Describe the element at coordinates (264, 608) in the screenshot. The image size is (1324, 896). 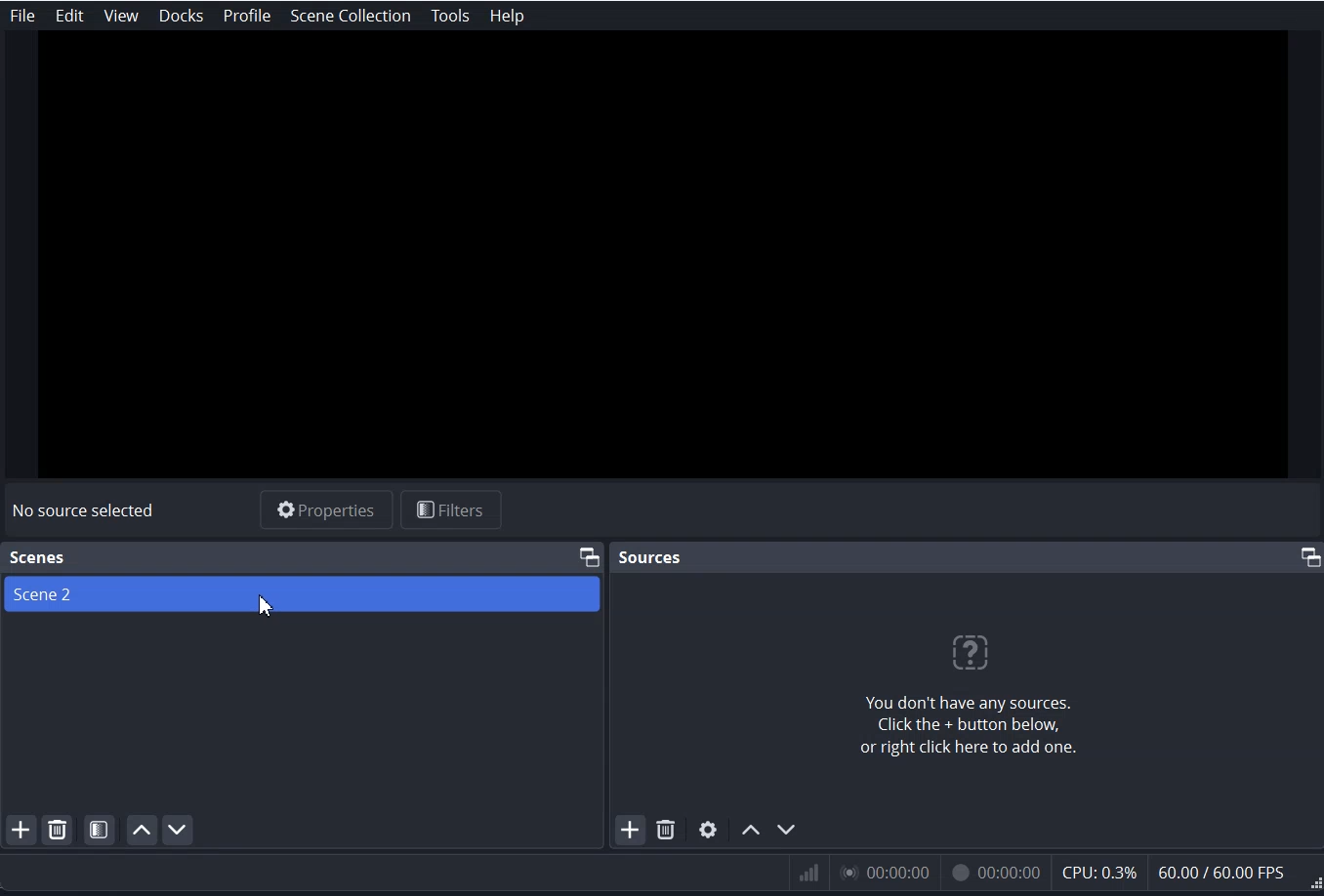
I see `Cursor` at that location.